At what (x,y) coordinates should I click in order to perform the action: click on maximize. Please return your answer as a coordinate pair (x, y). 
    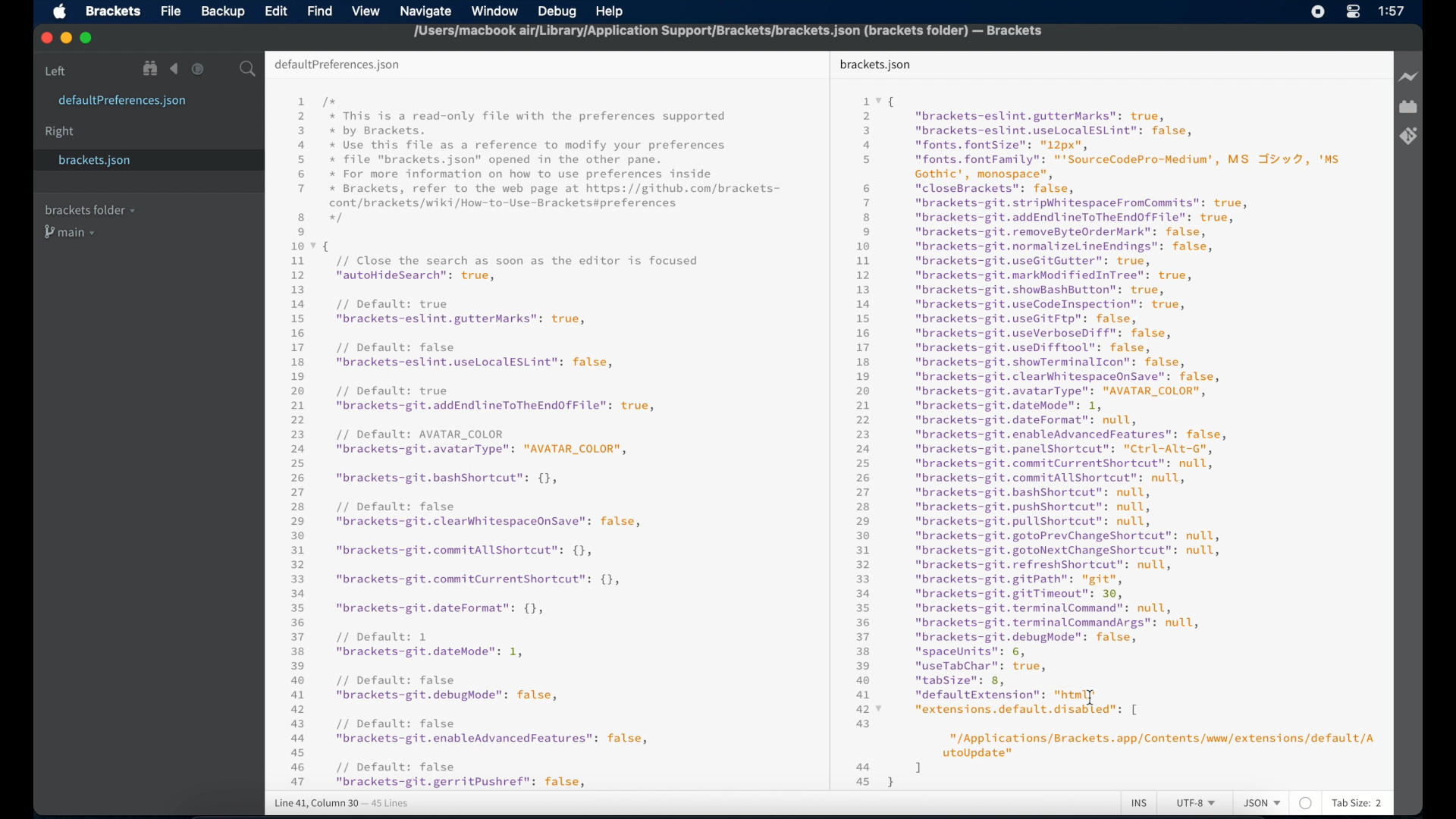
    Looking at the image, I should click on (87, 39).